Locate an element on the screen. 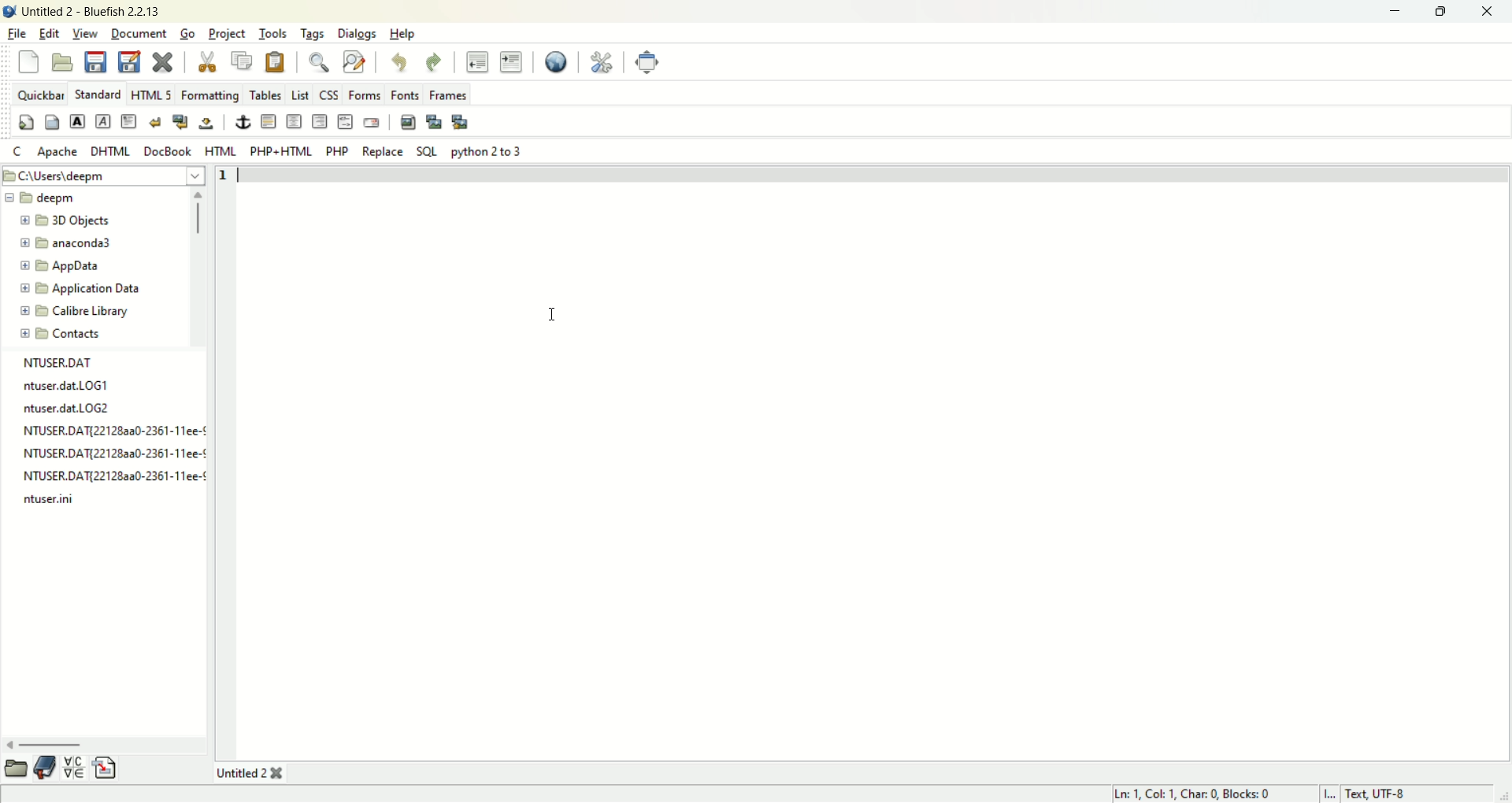 This screenshot has width=1512, height=803. quick start is located at coordinates (24, 122).